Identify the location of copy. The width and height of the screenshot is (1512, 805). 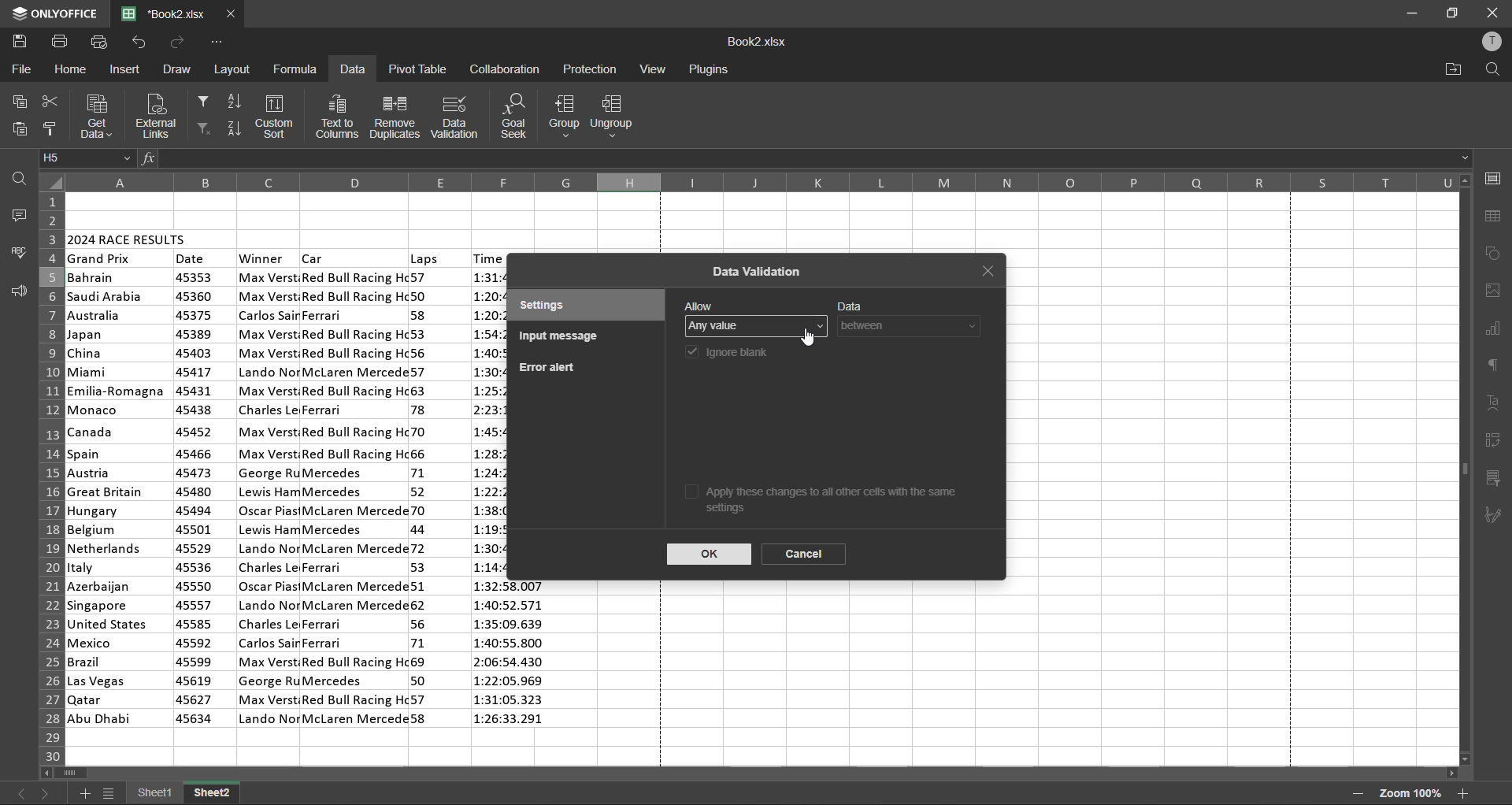
(22, 102).